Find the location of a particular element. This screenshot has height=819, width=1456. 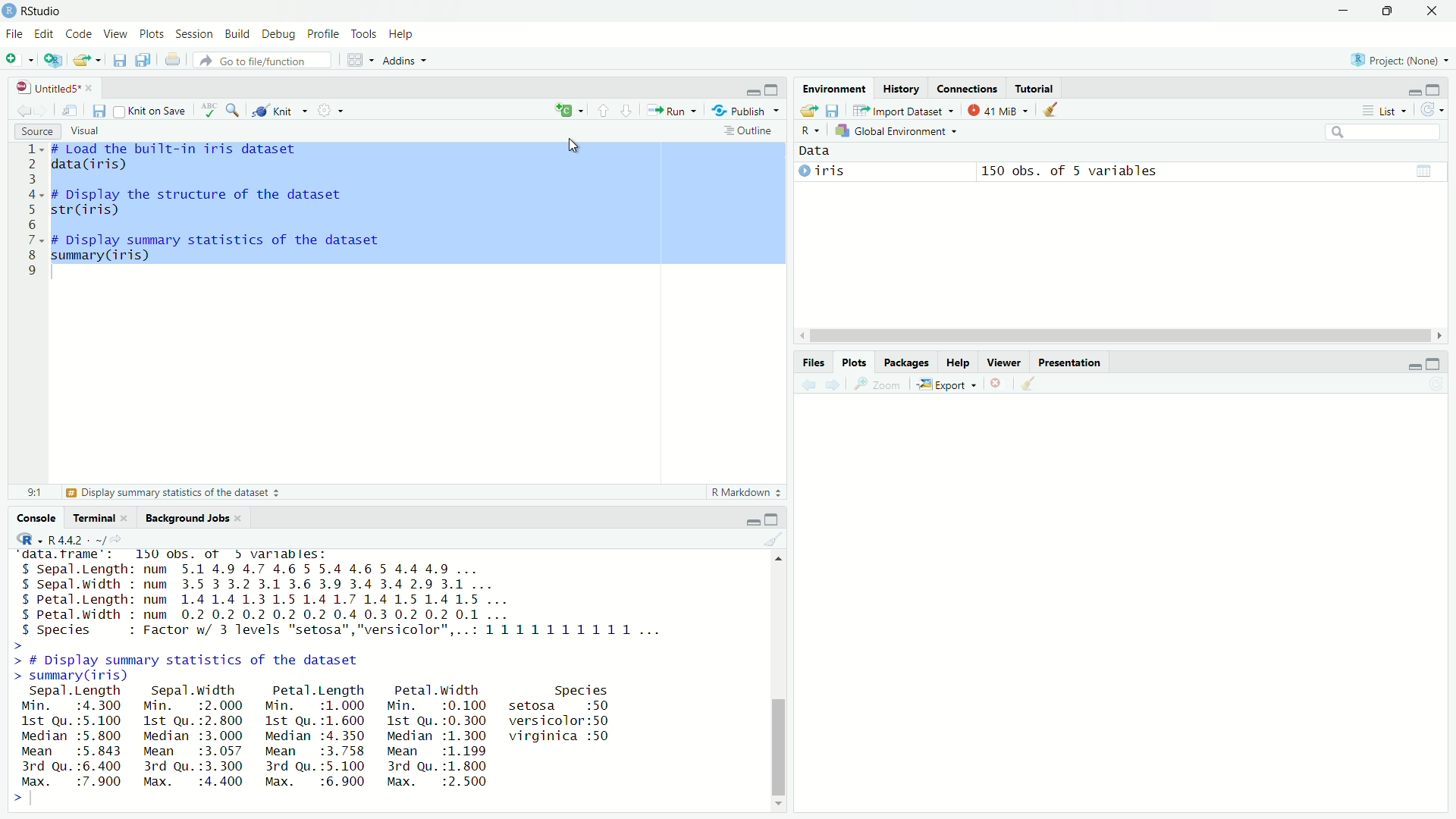

Go to previous location is located at coordinates (24, 110).